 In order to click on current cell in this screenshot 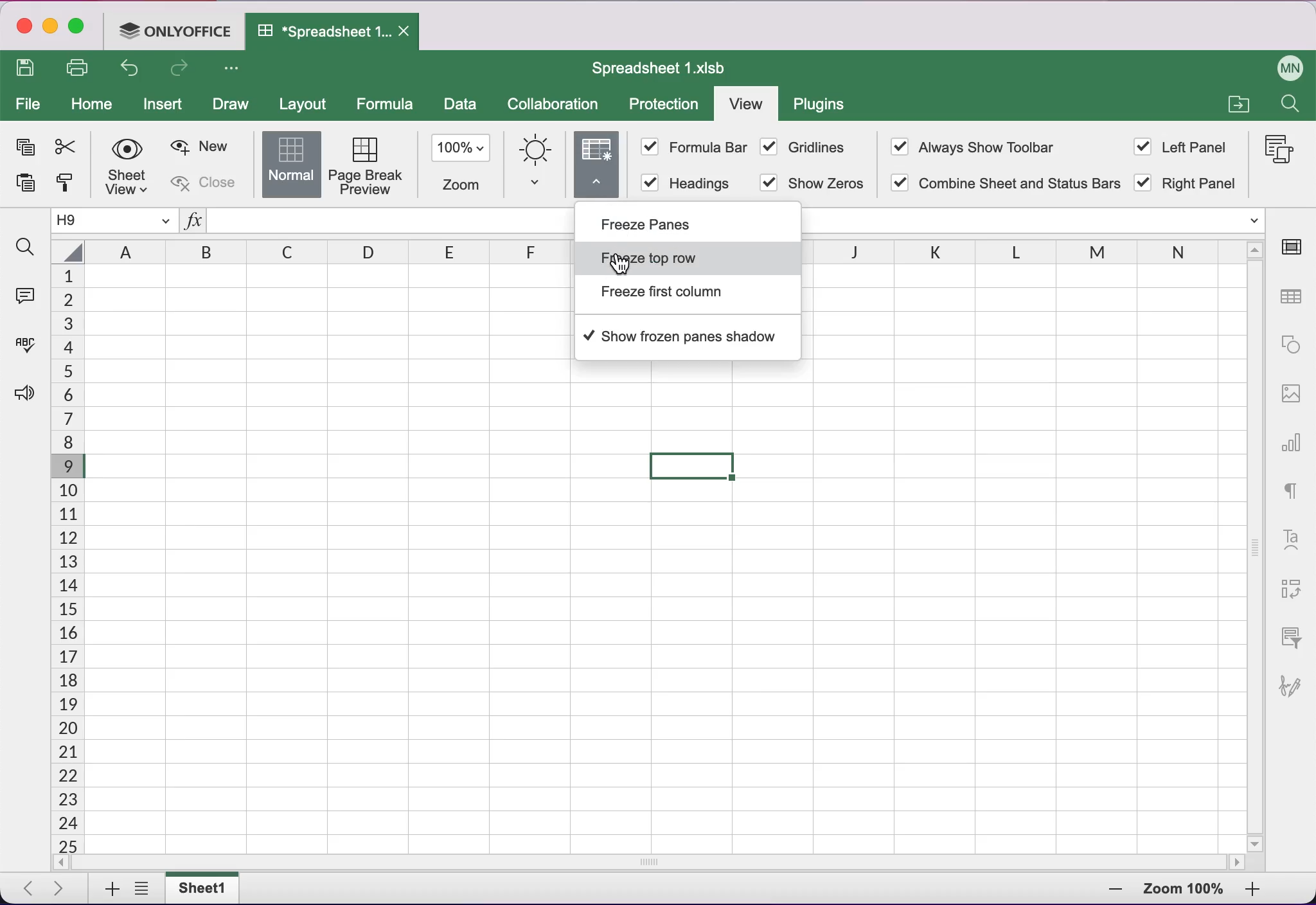, I will do `click(117, 220)`.